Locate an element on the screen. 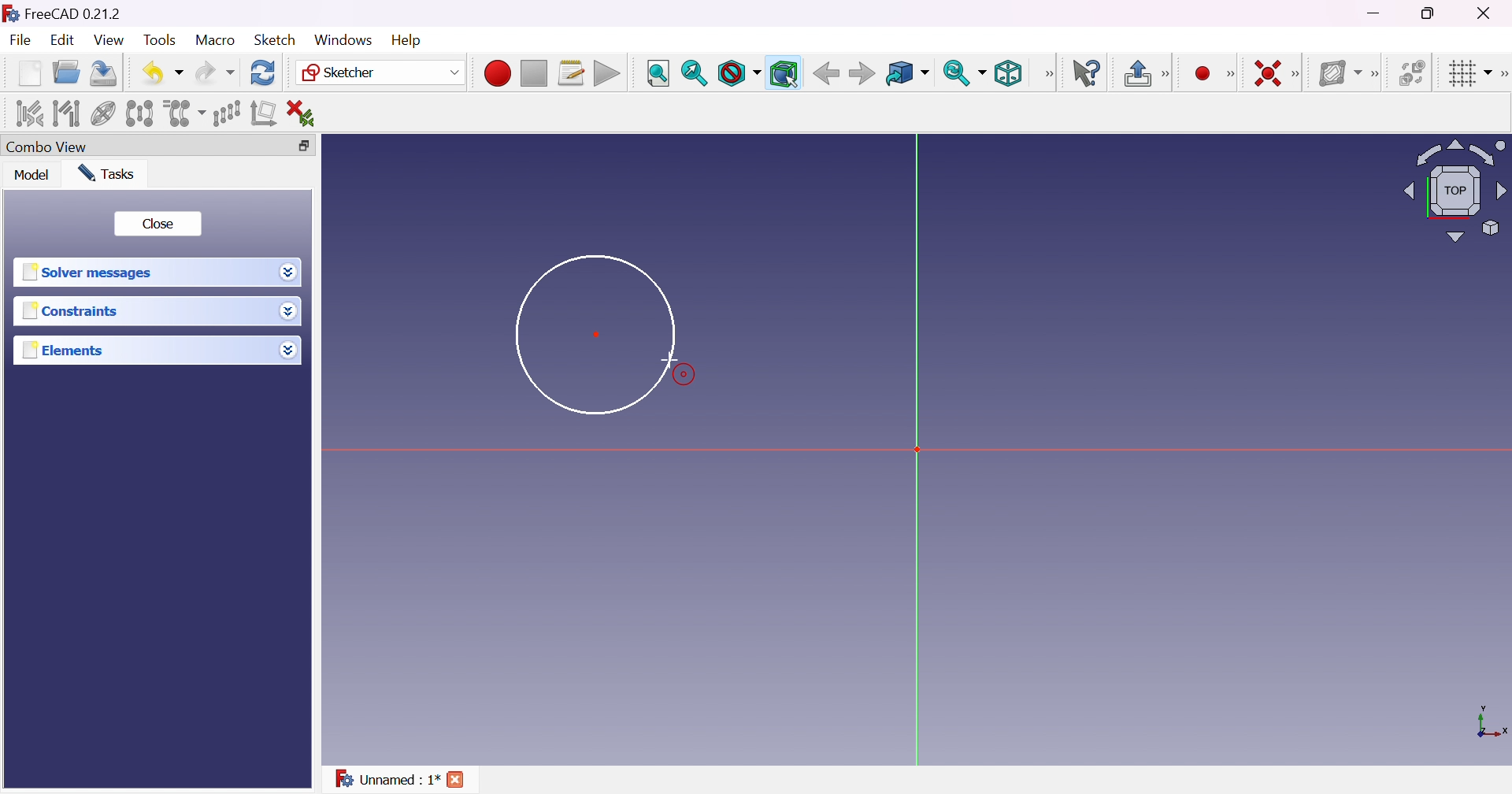 The height and width of the screenshot is (794, 1512). [Sketcher edit tools] is located at coordinates (1503, 72).